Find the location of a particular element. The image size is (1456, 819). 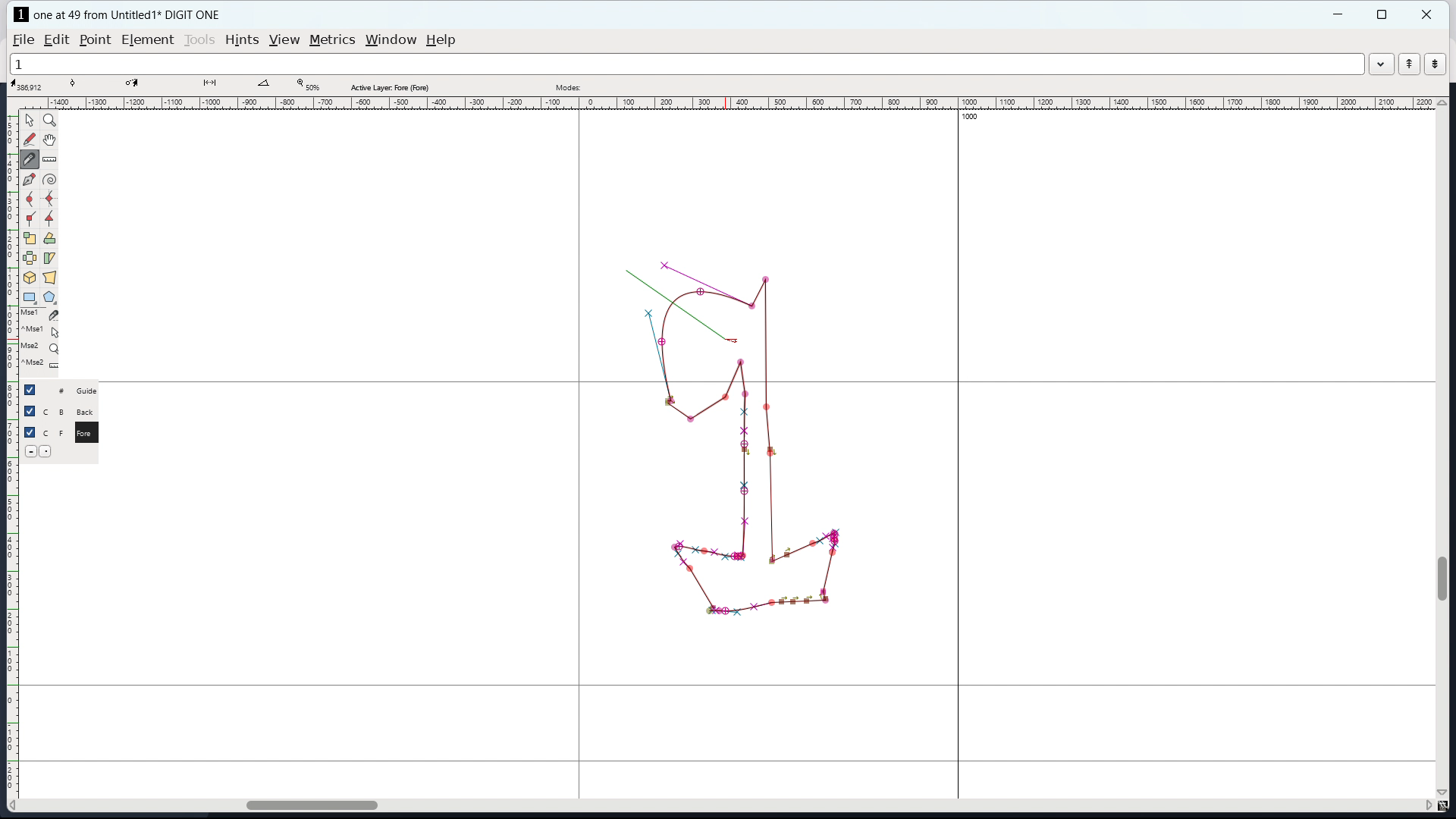

file is located at coordinates (24, 40).